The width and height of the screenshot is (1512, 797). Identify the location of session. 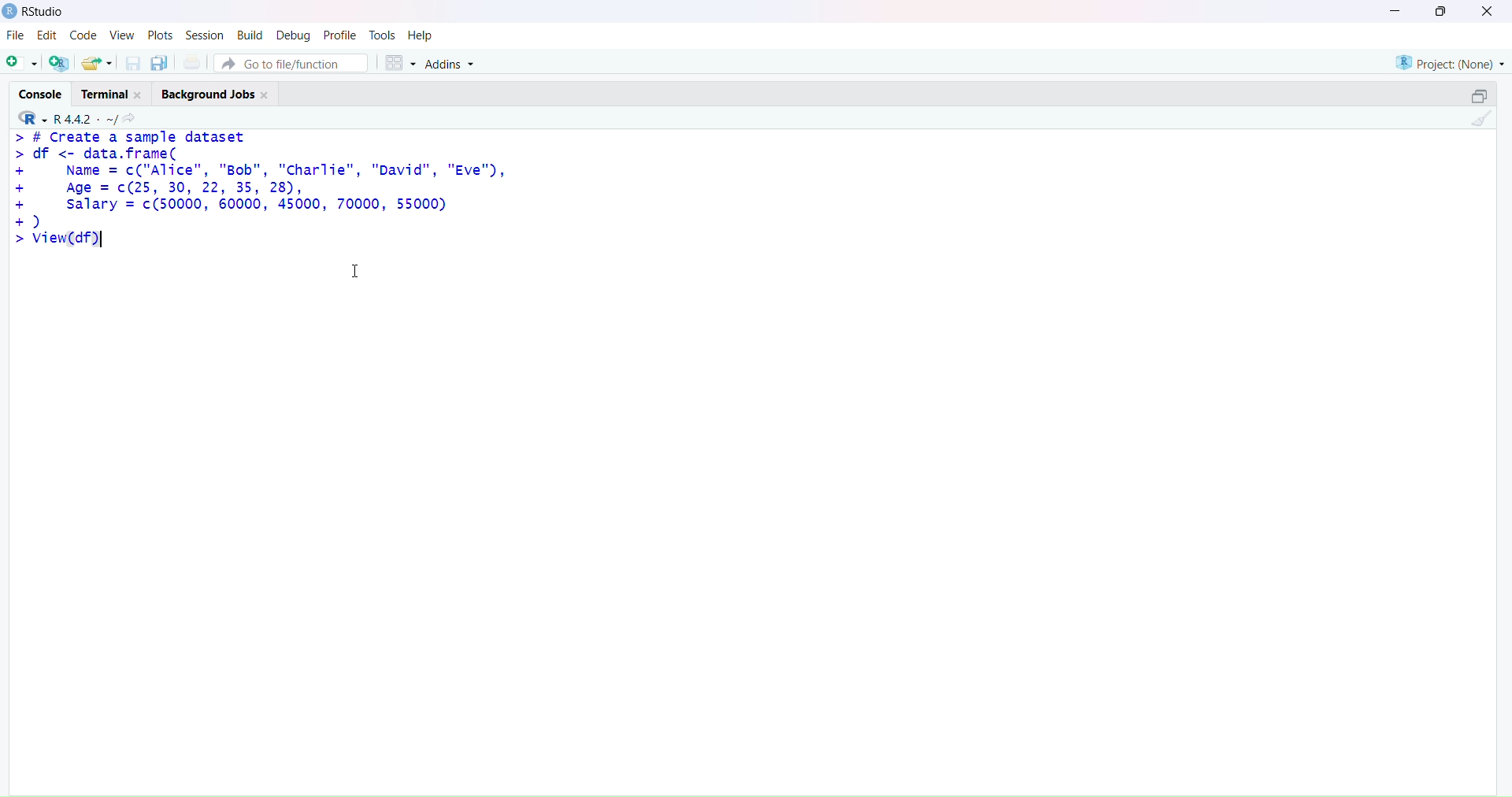
(206, 35).